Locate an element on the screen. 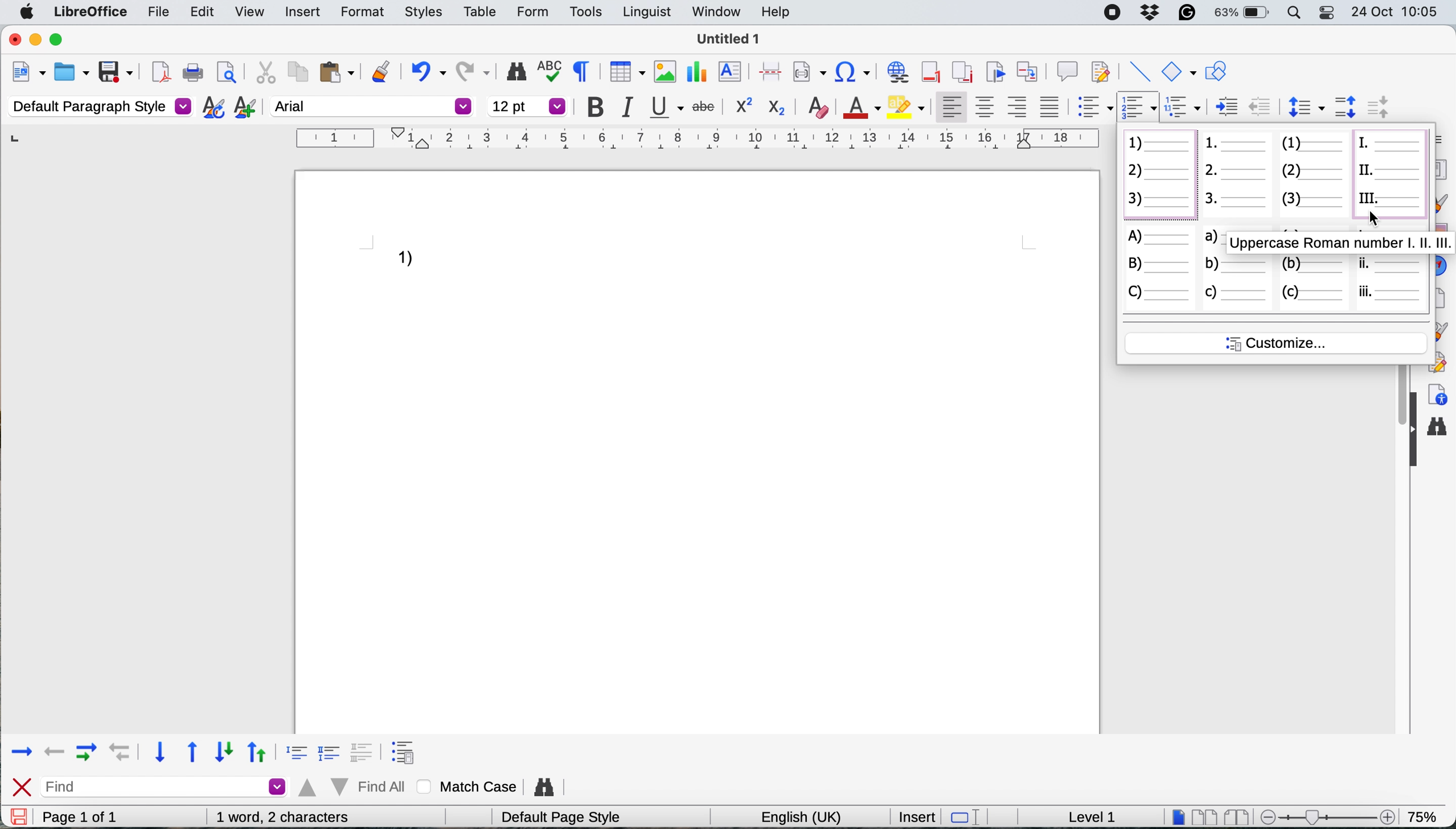 This screenshot has height=829, width=1456. align right is located at coordinates (1019, 107).